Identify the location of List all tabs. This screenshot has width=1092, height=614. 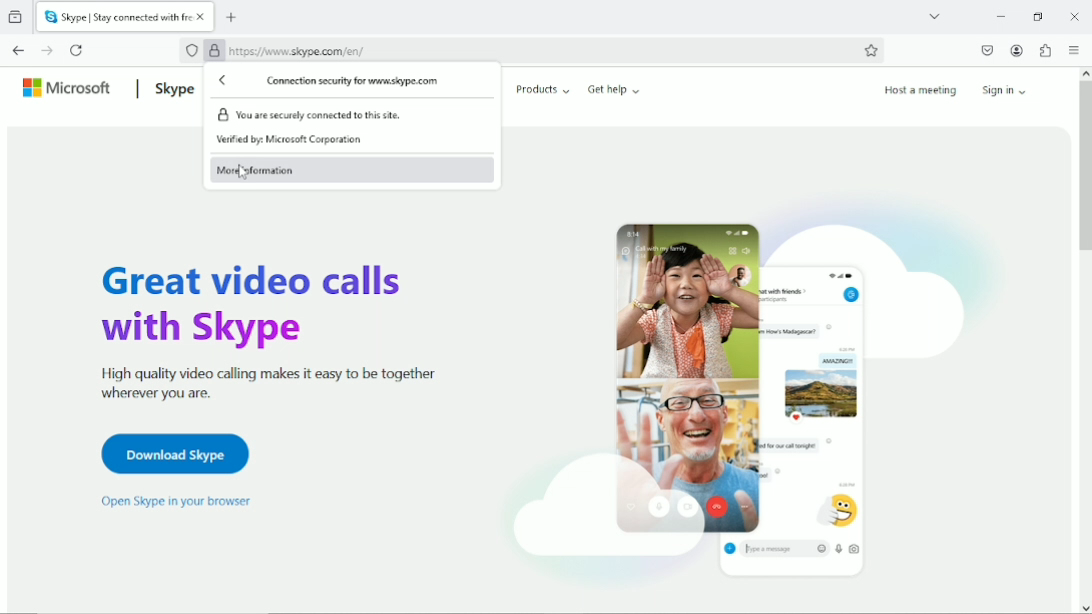
(934, 15).